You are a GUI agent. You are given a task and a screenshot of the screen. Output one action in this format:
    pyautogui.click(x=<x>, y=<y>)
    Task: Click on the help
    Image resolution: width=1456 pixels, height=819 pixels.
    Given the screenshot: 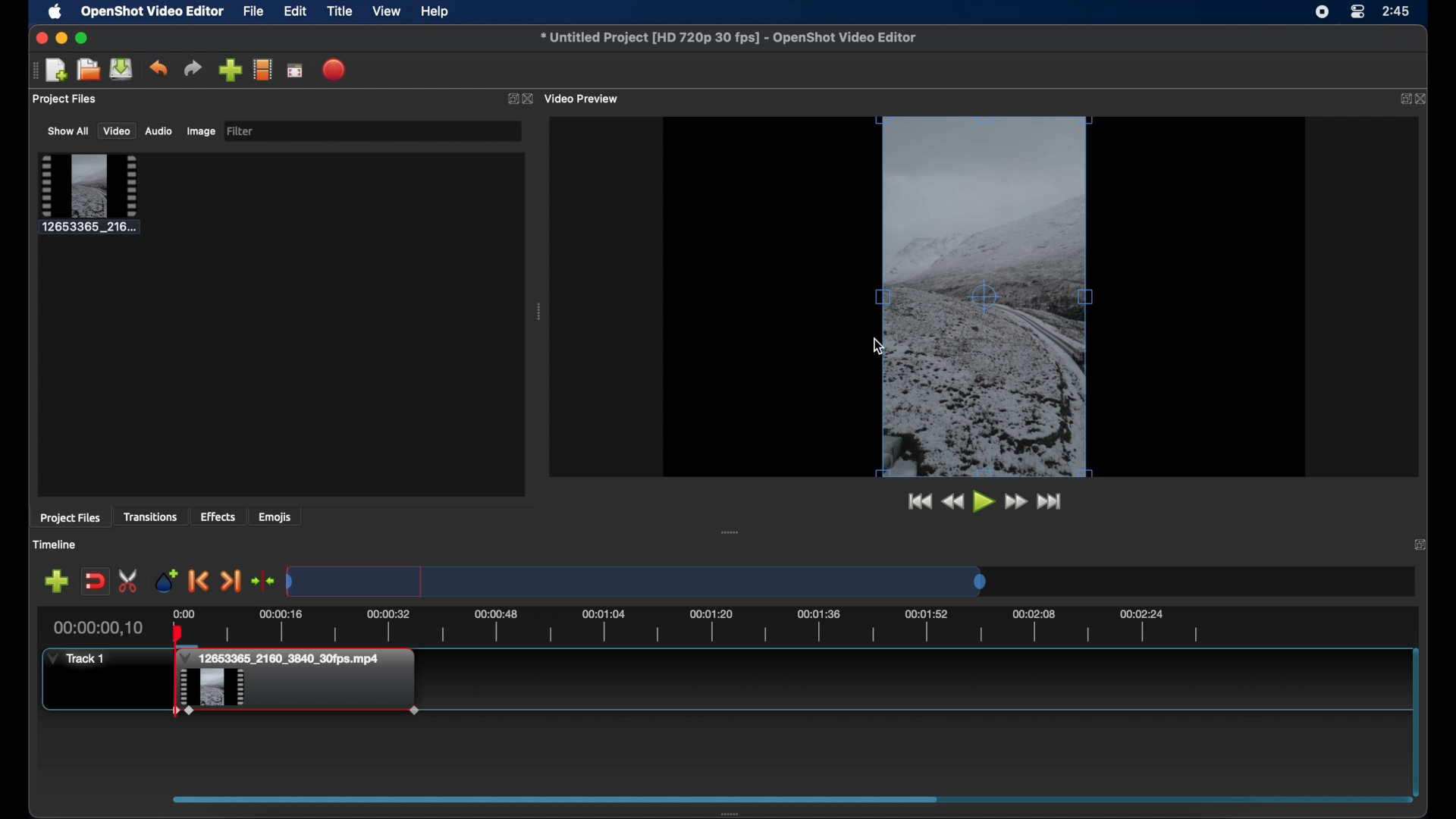 What is the action you would take?
    pyautogui.click(x=437, y=11)
    